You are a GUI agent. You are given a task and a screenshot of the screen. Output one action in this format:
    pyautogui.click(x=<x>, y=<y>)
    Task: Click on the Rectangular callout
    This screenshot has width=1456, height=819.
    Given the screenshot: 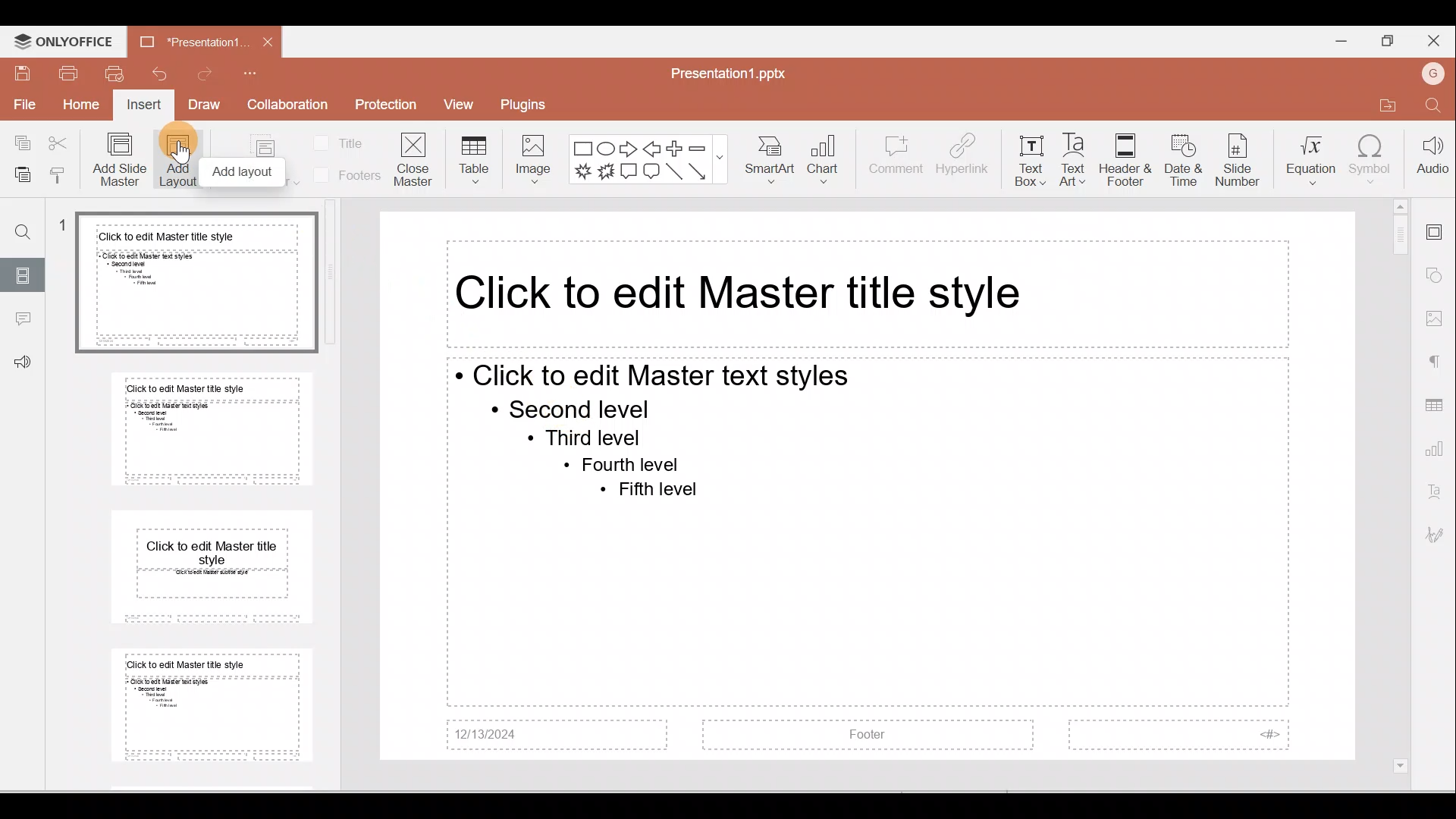 What is the action you would take?
    pyautogui.click(x=629, y=174)
    